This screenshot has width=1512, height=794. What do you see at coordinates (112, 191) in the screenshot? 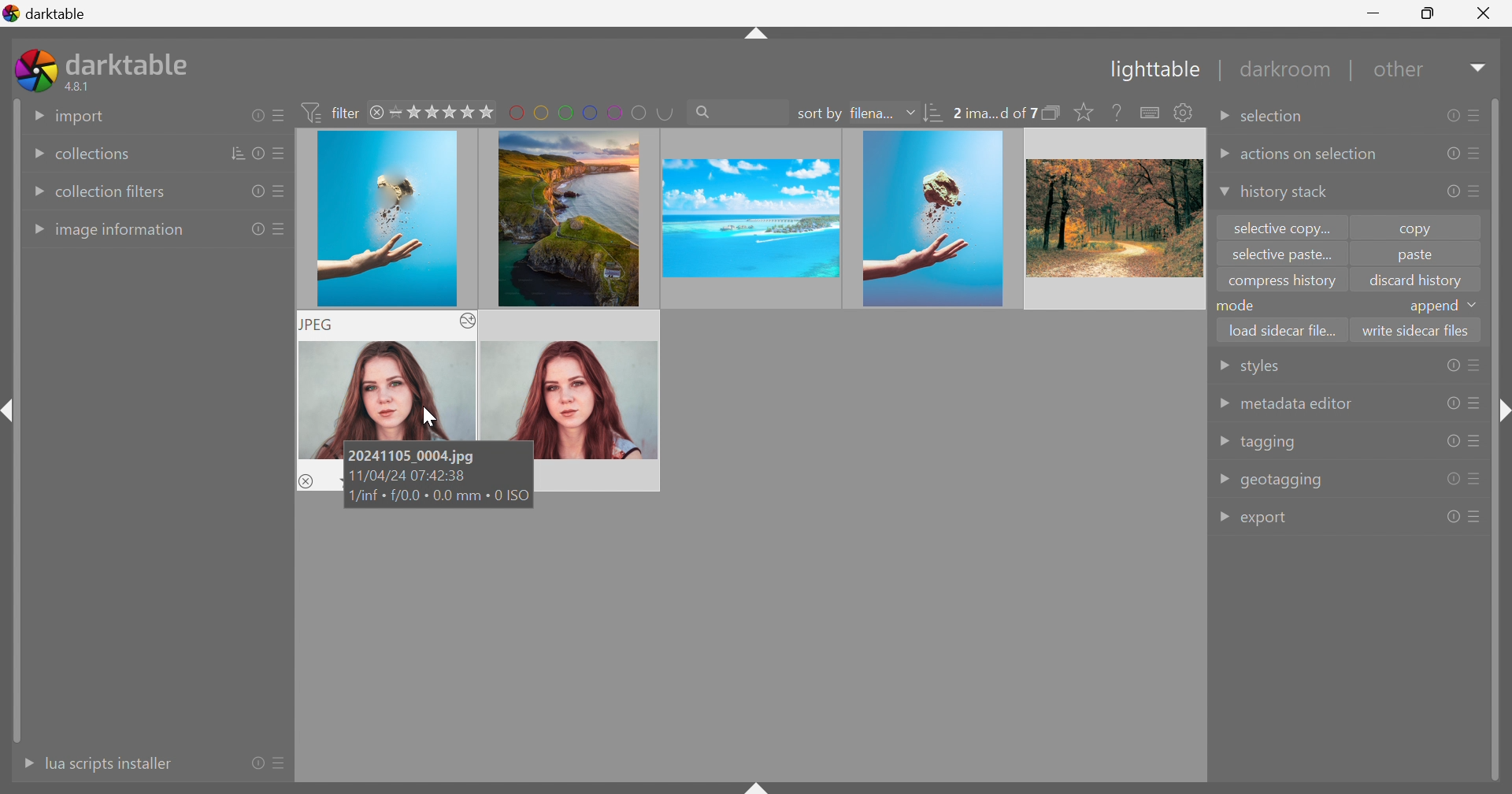
I see `collection filters` at bounding box center [112, 191].